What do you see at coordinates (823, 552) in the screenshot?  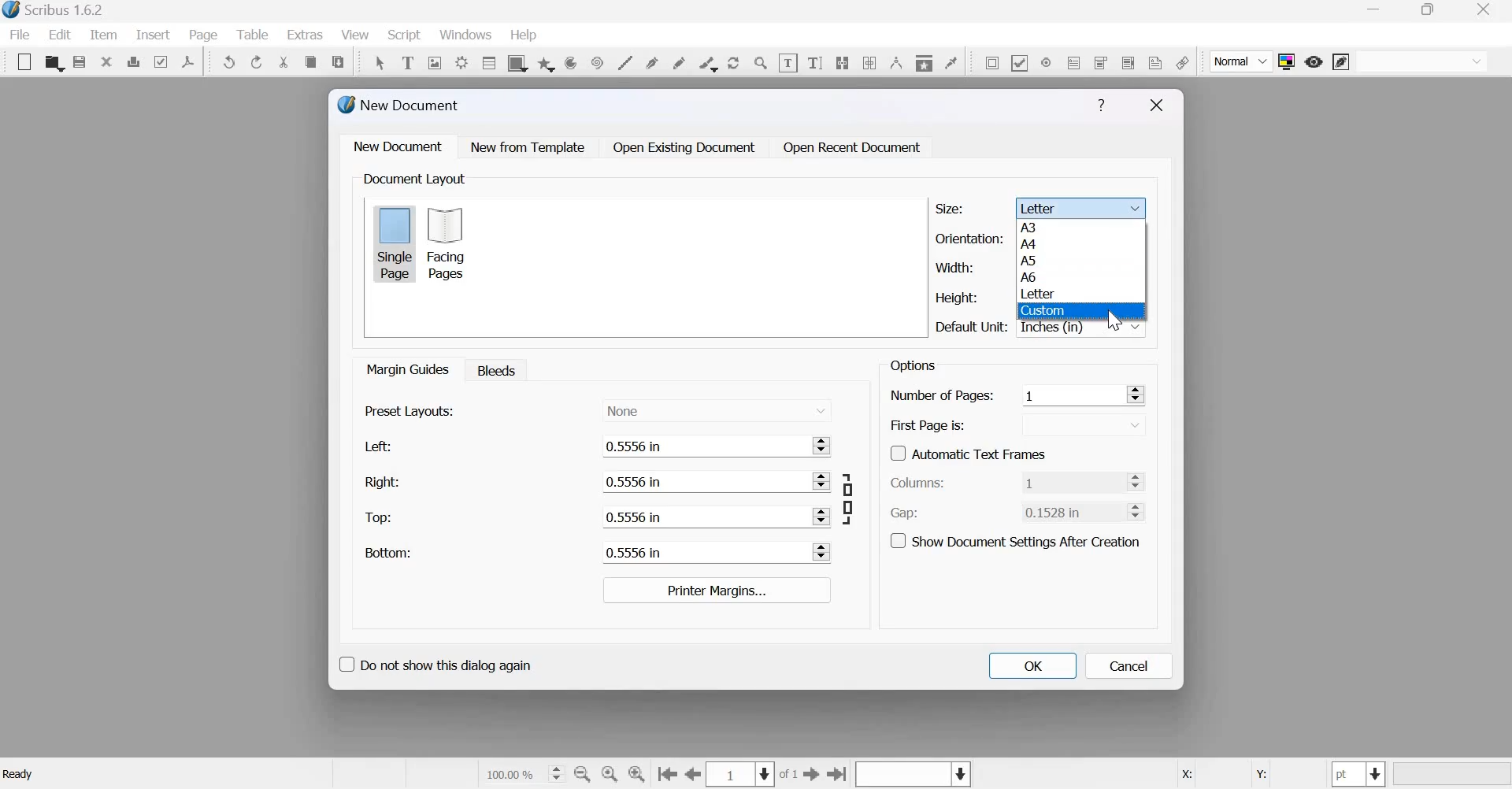 I see `Increase and Decrease` at bounding box center [823, 552].